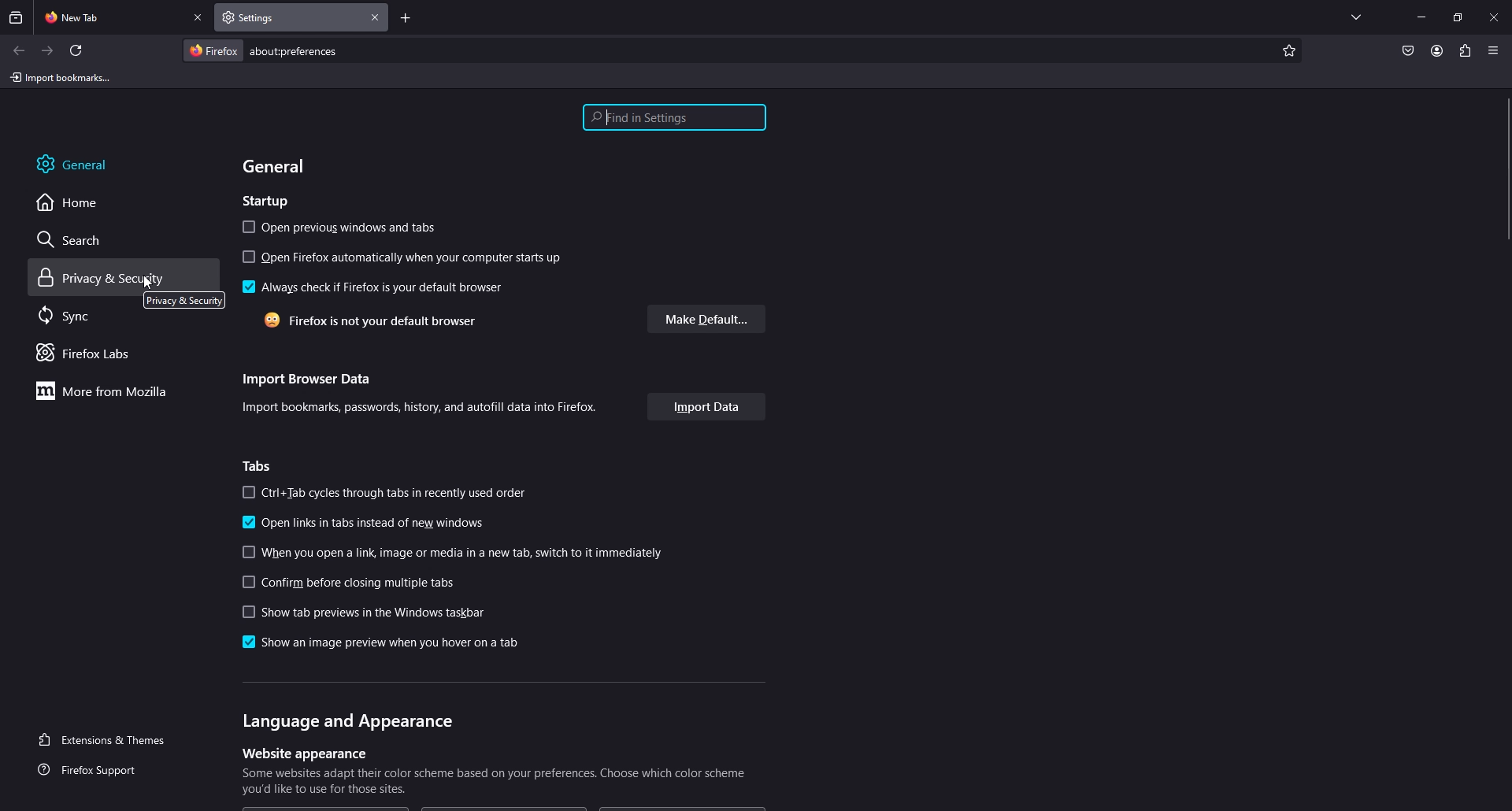  What do you see at coordinates (376, 642) in the screenshot?
I see `show an image preview when you hover on a tab` at bounding box center [376, 642].